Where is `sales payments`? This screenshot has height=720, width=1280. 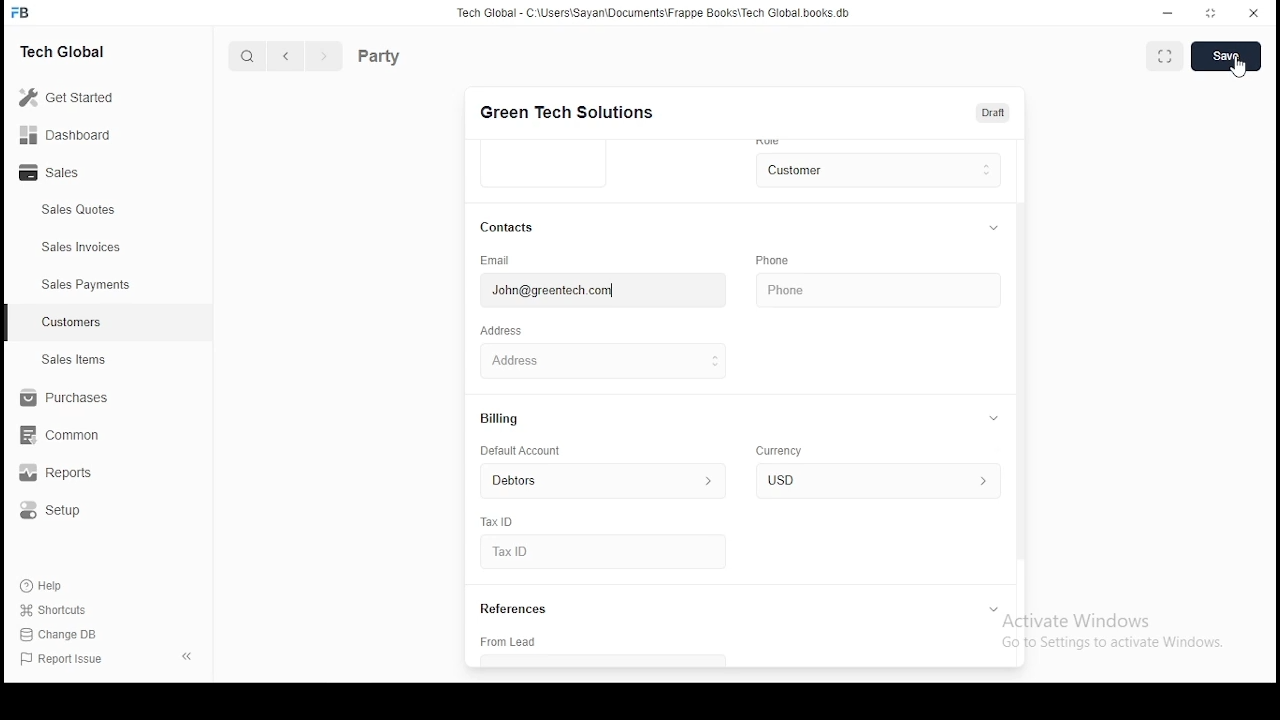
sales payments is located at coordinates (82, 285).